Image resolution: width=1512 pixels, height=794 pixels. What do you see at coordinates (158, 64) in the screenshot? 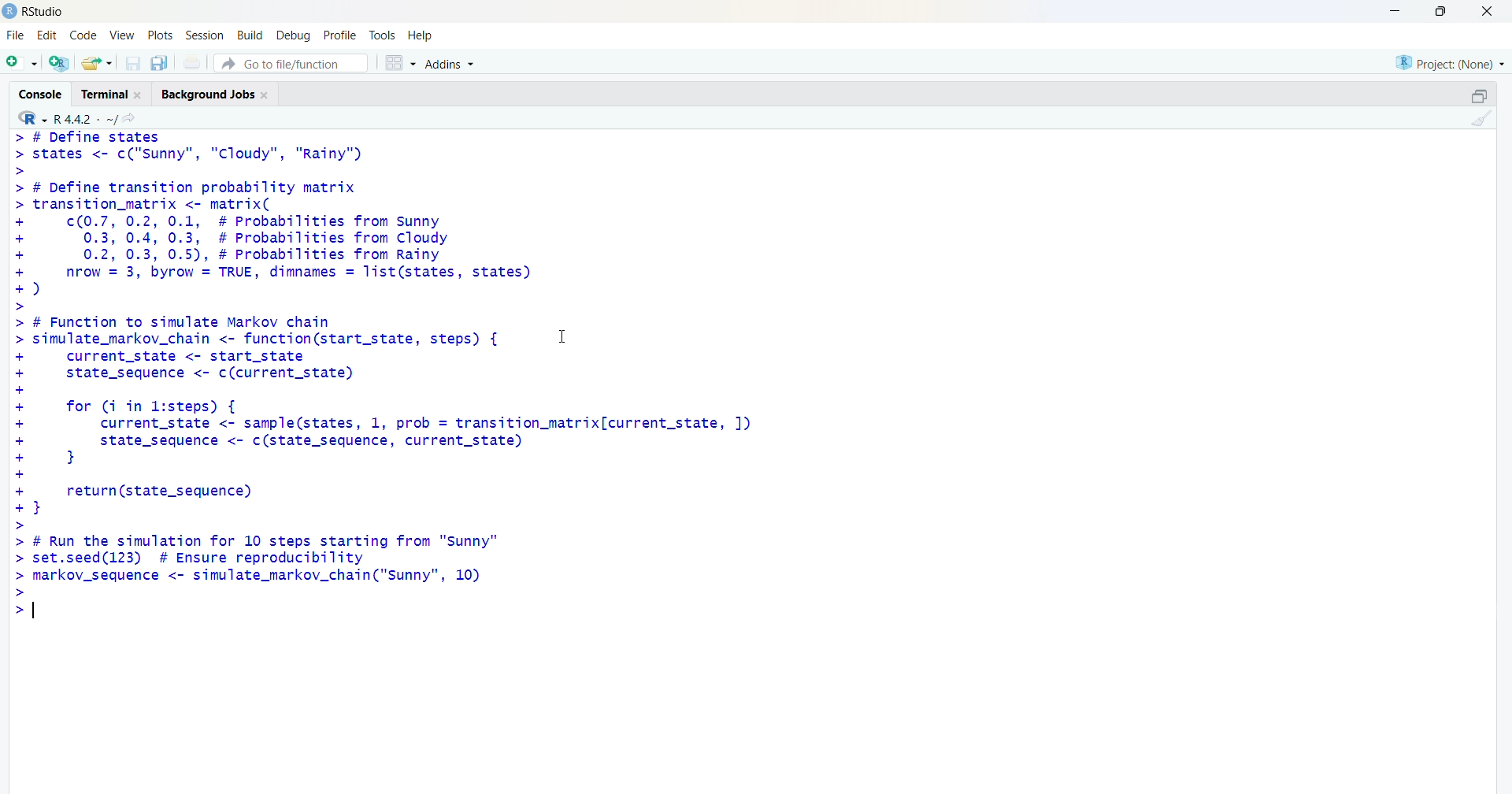
I see `save all open document` at bounding box center [158, 64].